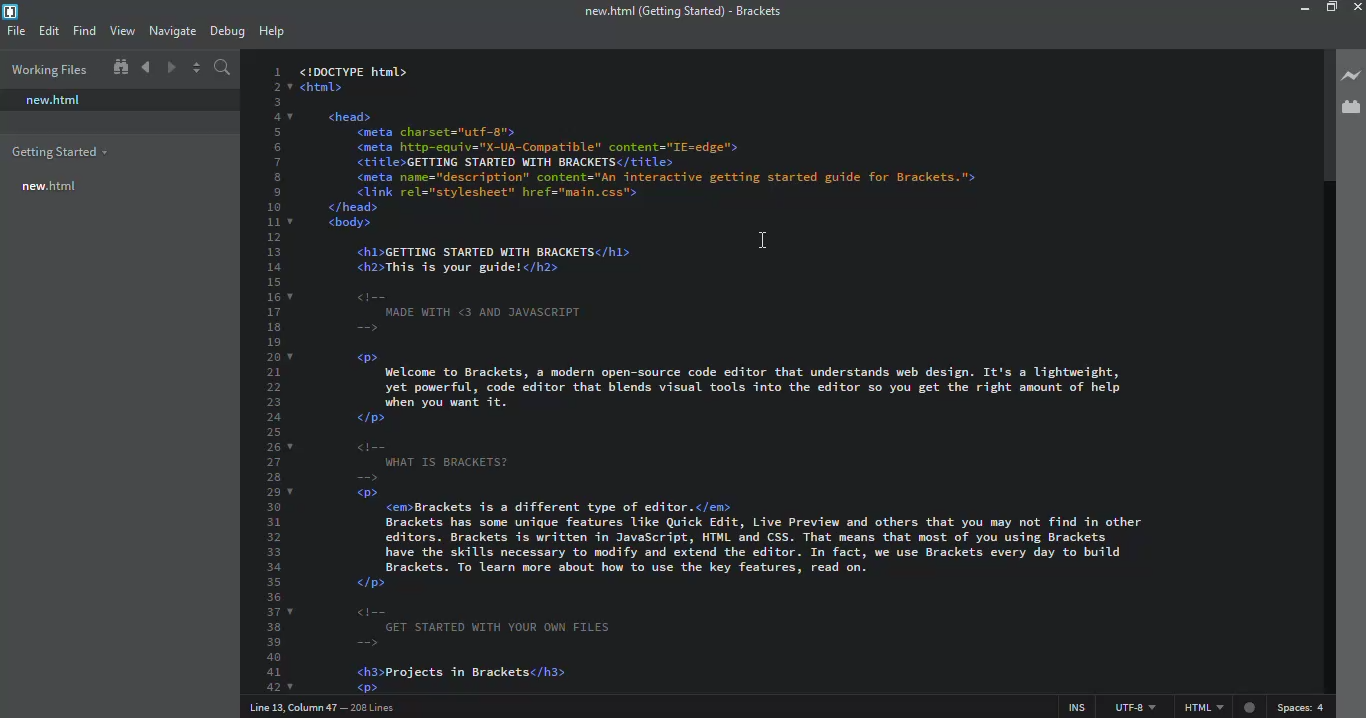 The height and width of the screenshot is (718, 1366). I want to click on spaces, so click(1302, 707).